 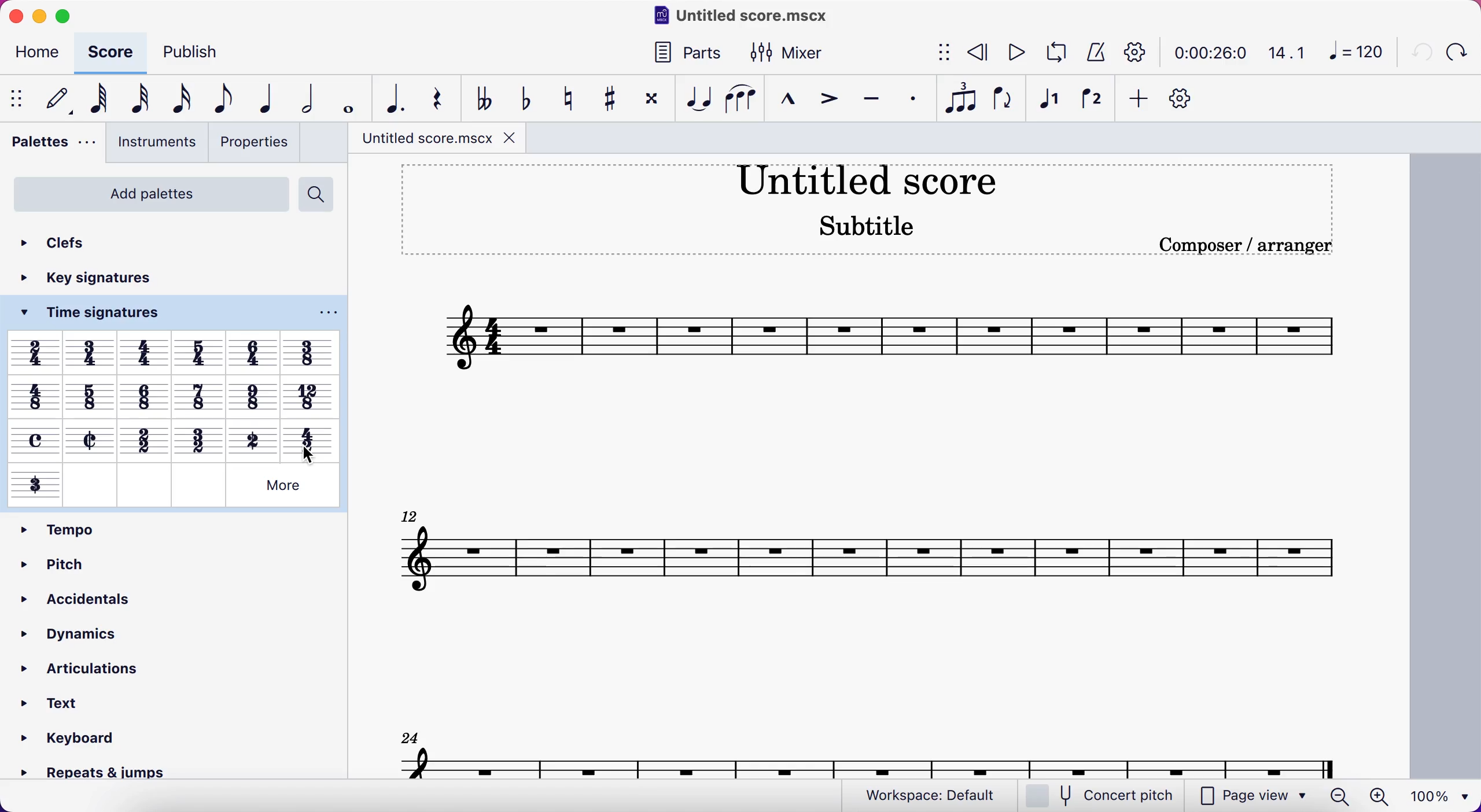 I want to click on parts, so click(x=684, y=52).